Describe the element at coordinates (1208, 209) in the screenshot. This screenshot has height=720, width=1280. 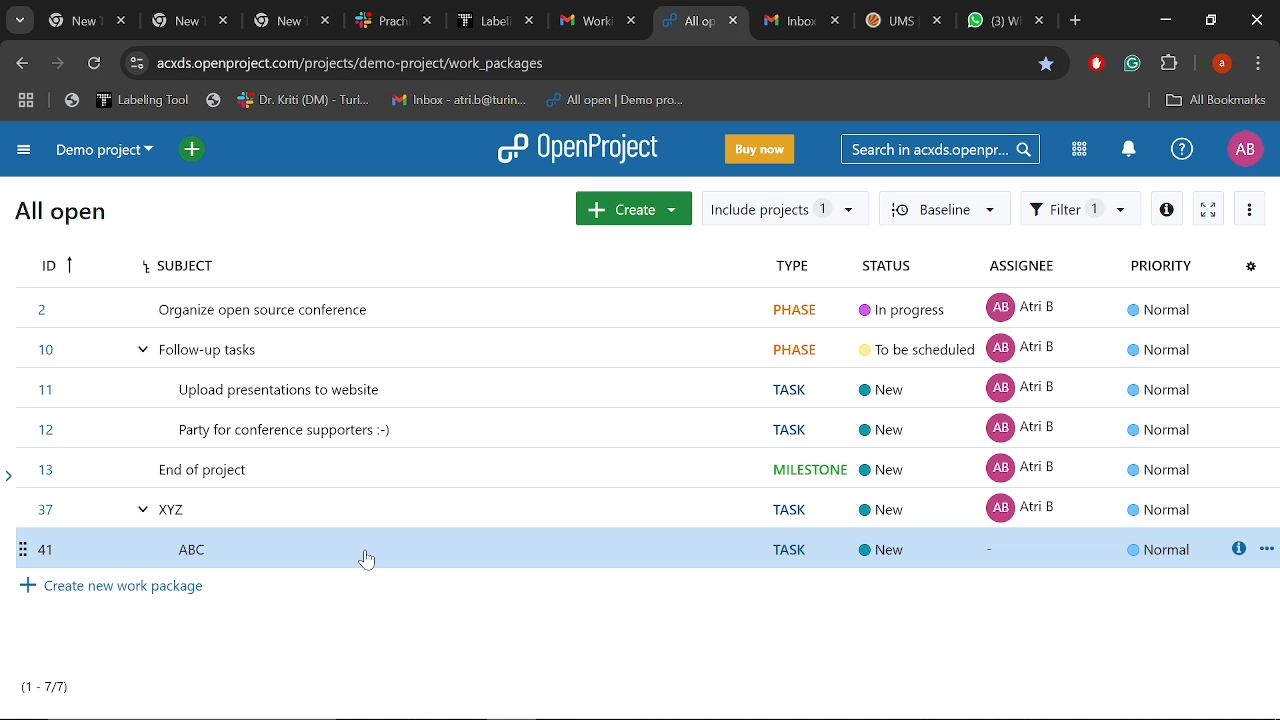
I see `Activate zen mode` at that location.